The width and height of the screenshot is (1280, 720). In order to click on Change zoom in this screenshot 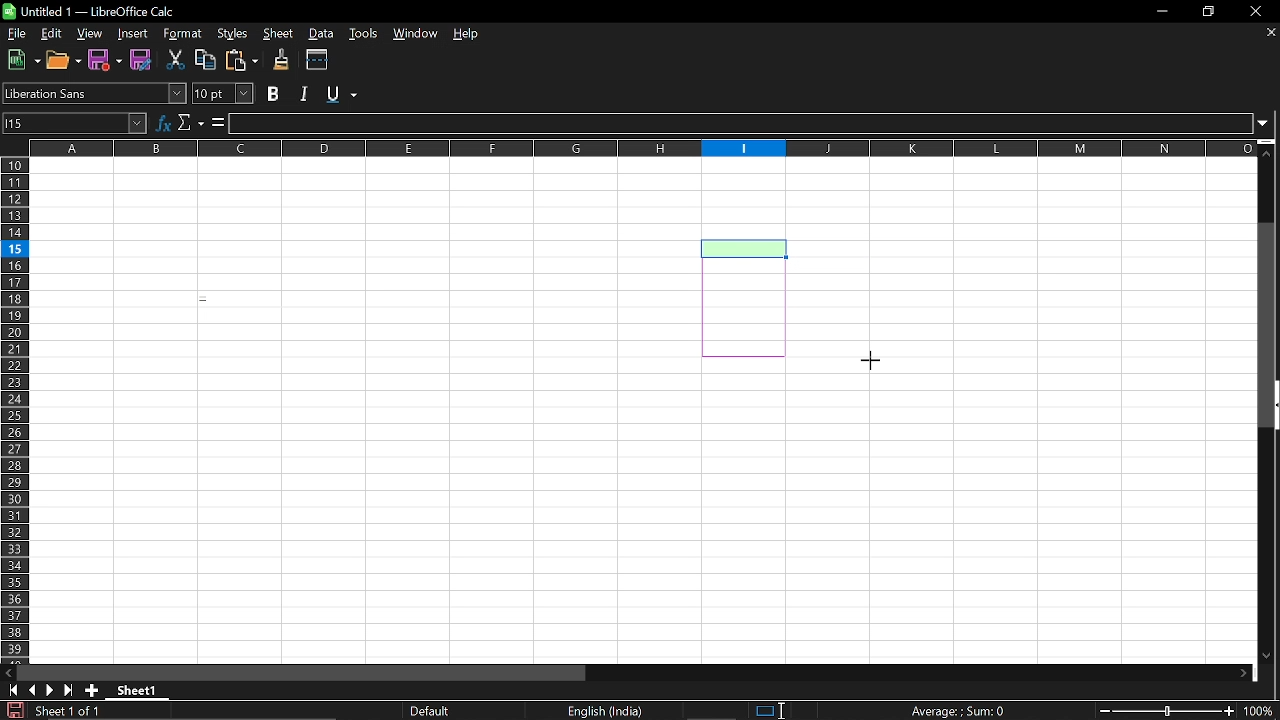, I will do `click(1170, 712)`.